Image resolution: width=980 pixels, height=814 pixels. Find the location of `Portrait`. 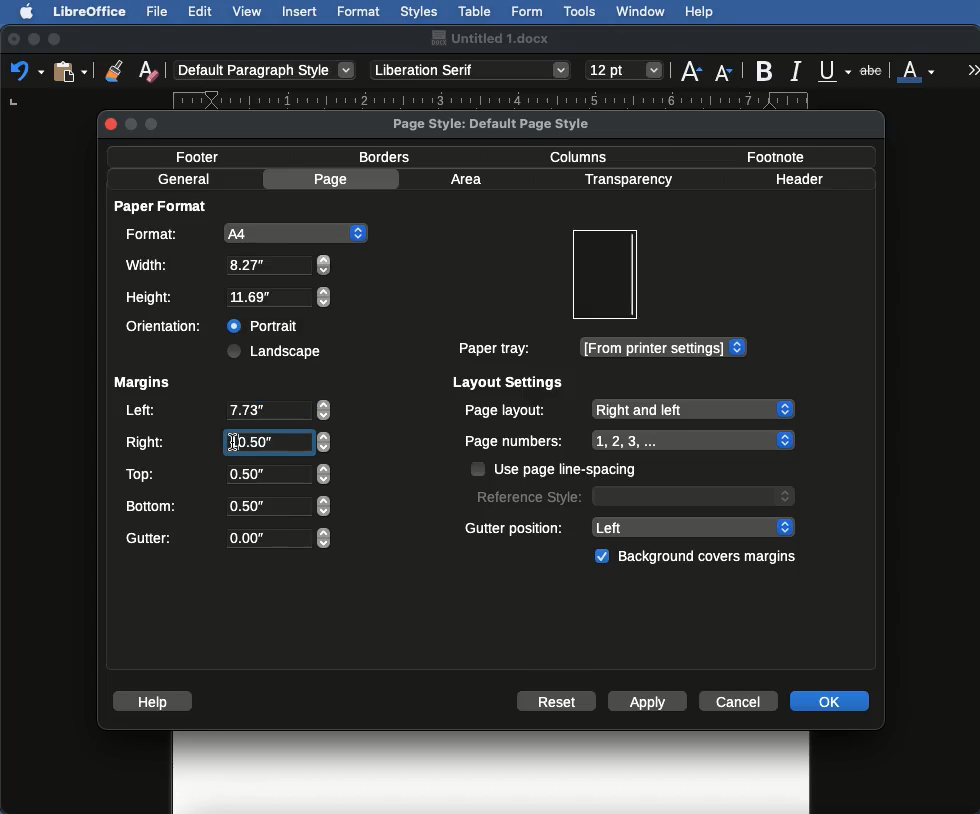

Portrait is located at coordinates (265, 323).